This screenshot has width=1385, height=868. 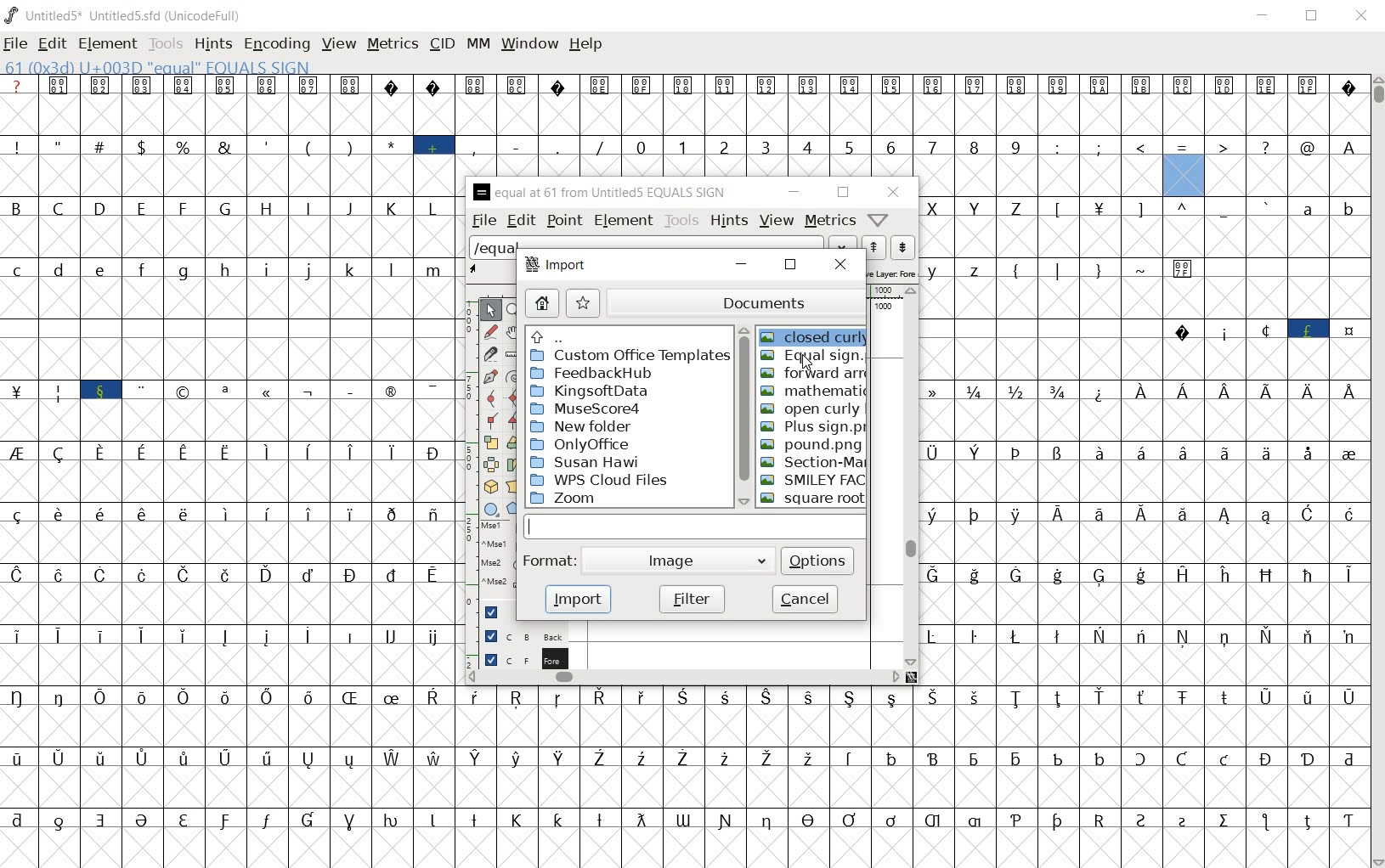 What do you see at coordinates (516, 657) in the screenshot?
I see `FOREGROUND` at bounding box center [516, 657].